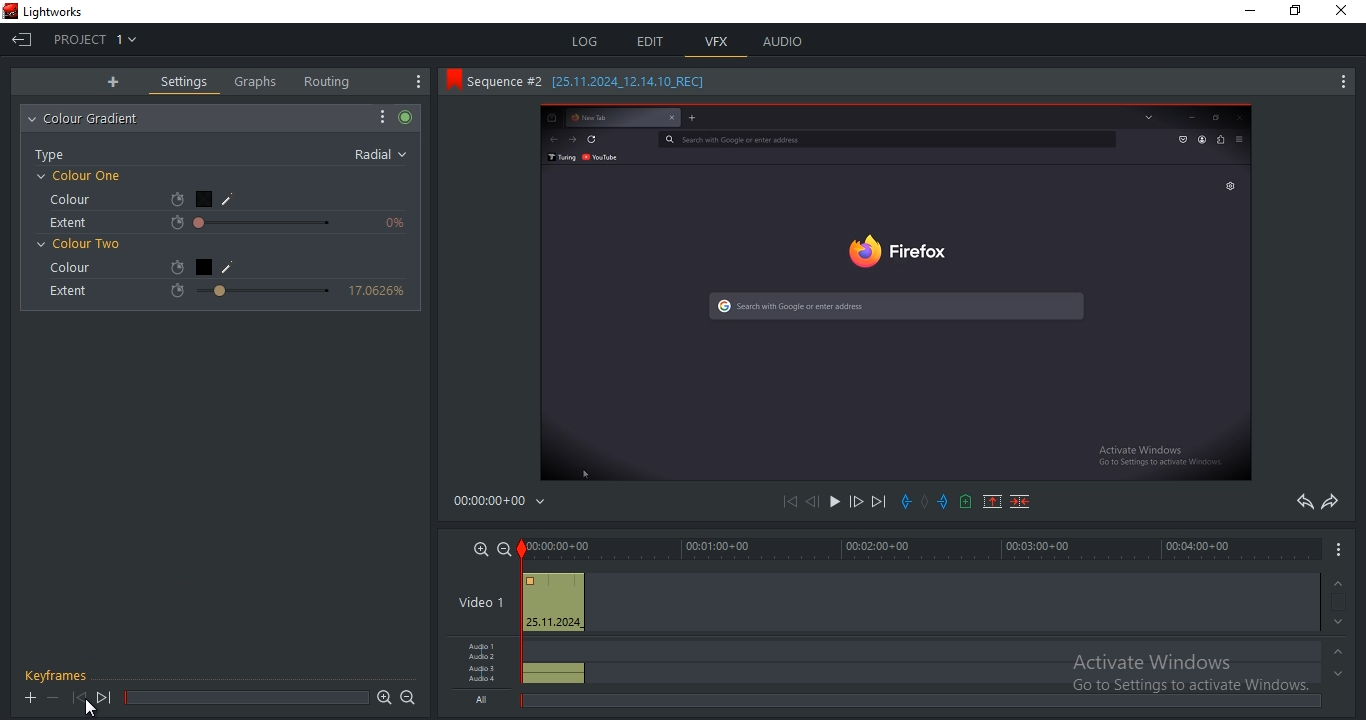  What do you see at coordinates (504, 548) in the screenshot?
I see `zoom out` at bounding box center [504, 548].